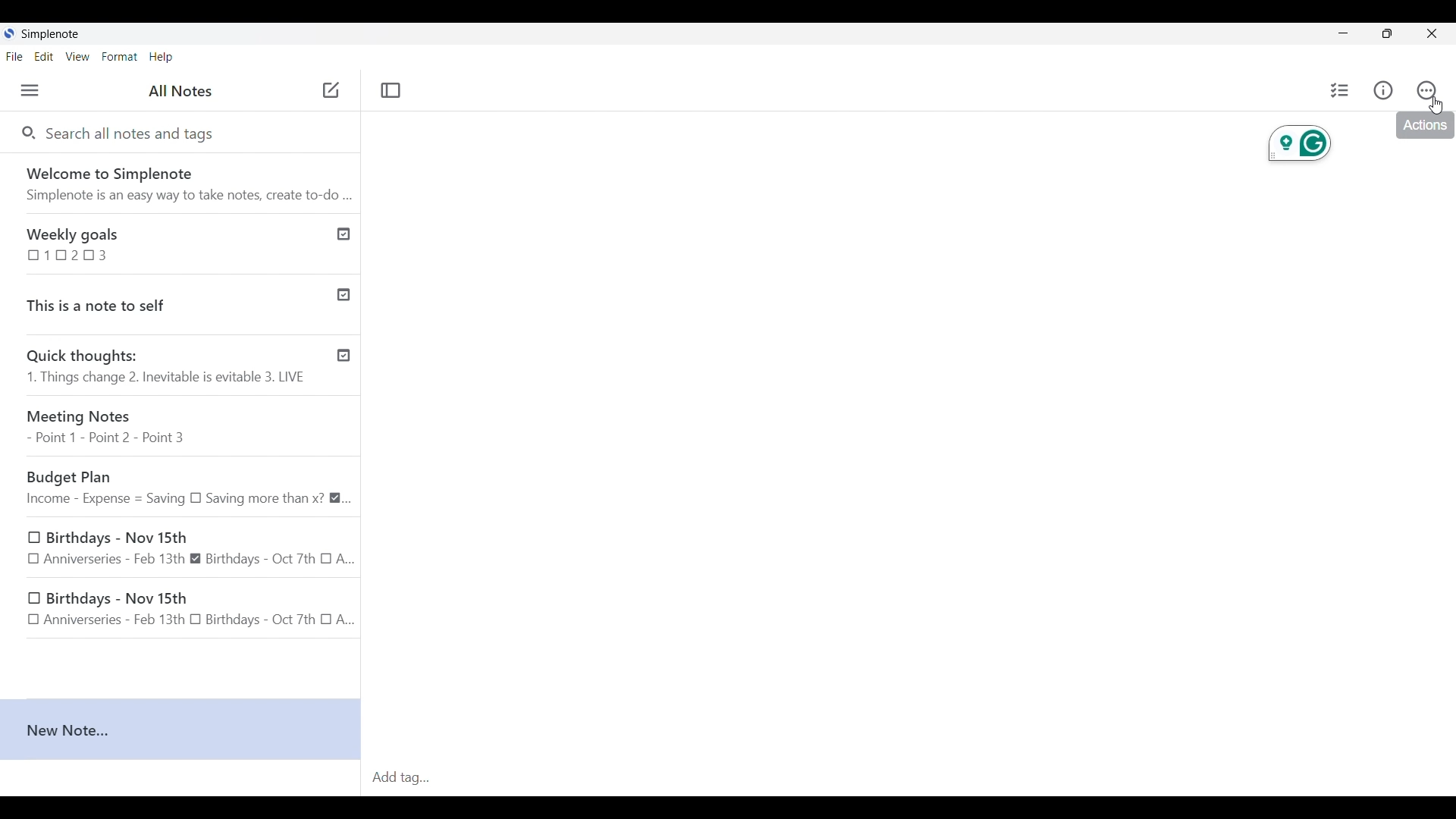 The image size is (1456, 819). What do you see at coordinates (179, 180) in the screenshot?
I see `Software welcome note` at bounding box center [179, 180].